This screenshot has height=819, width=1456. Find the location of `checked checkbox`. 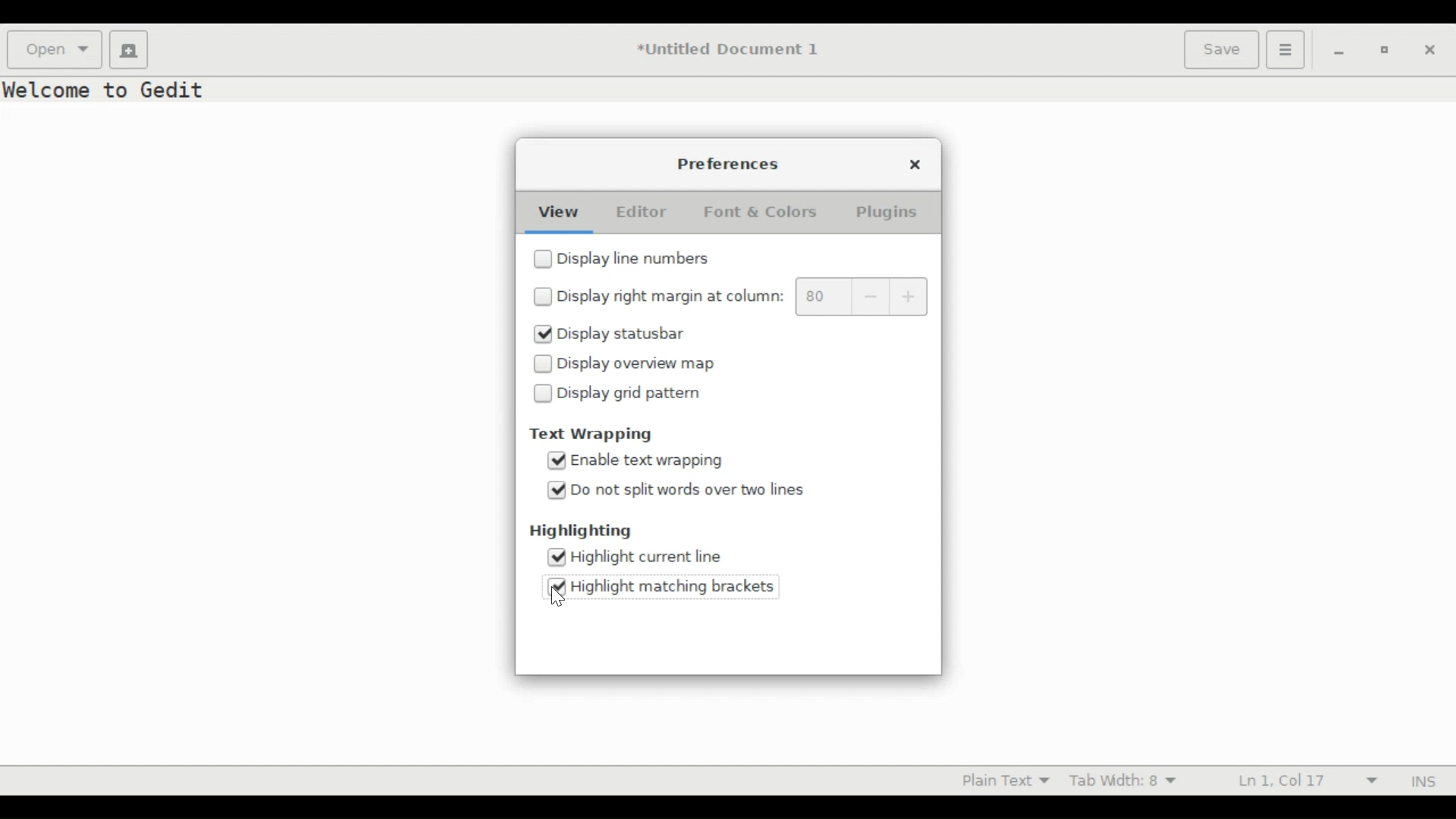

checked checkbox is located at coordinates (544, 334).